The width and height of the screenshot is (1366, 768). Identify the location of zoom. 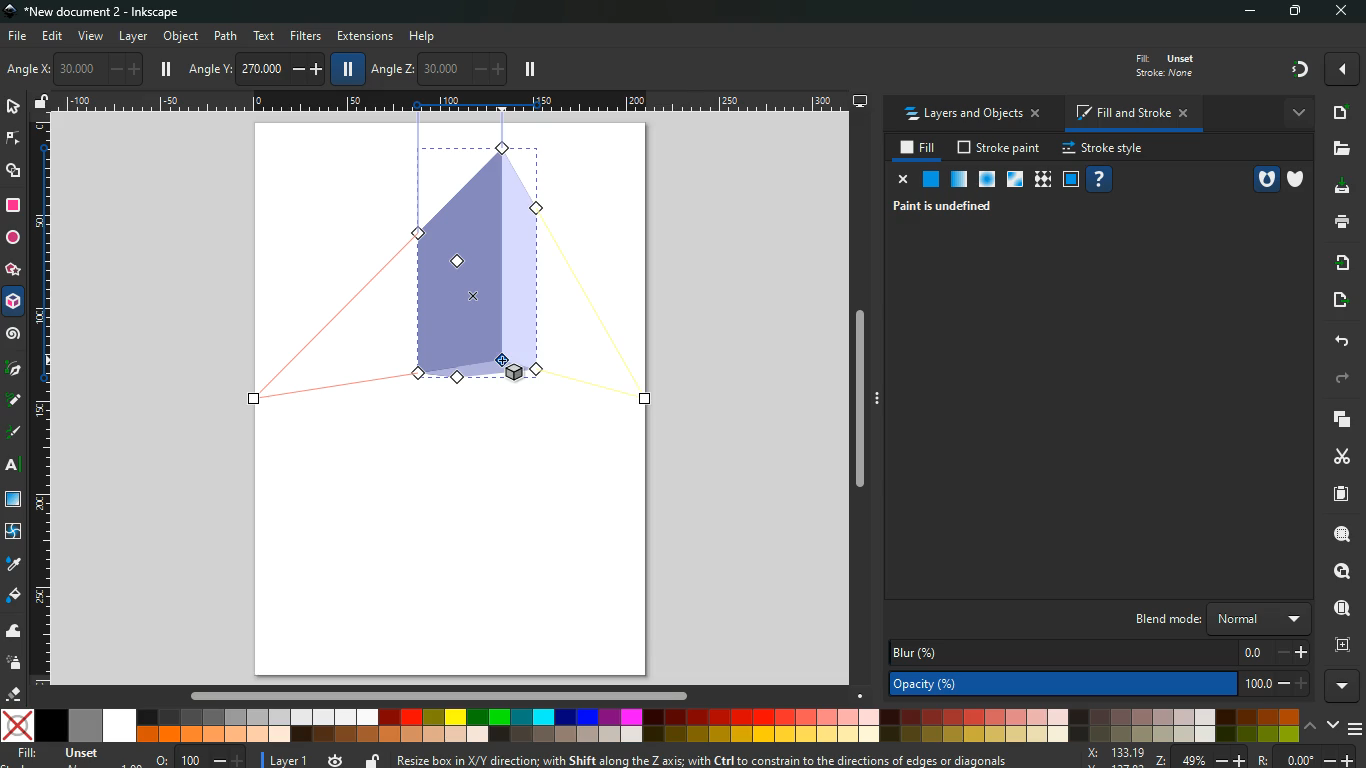
(1221, 758).